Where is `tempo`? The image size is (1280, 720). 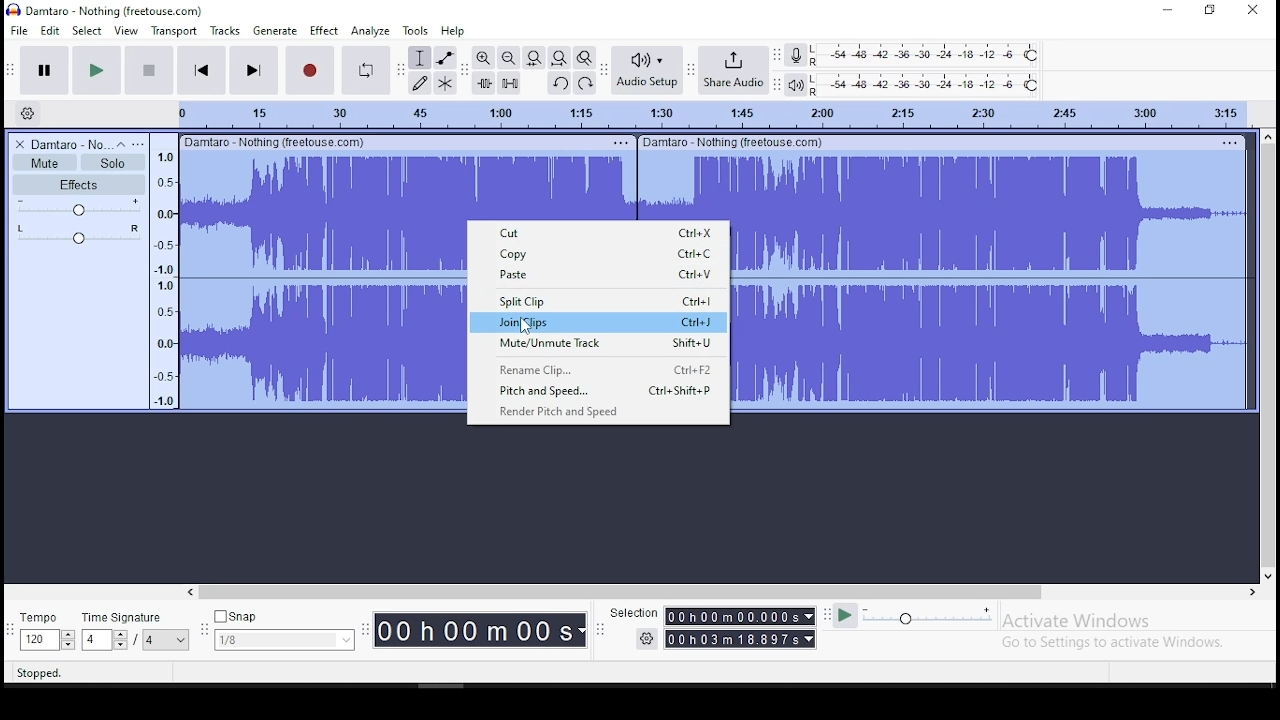 tempo is located at coordinates (39, 617).